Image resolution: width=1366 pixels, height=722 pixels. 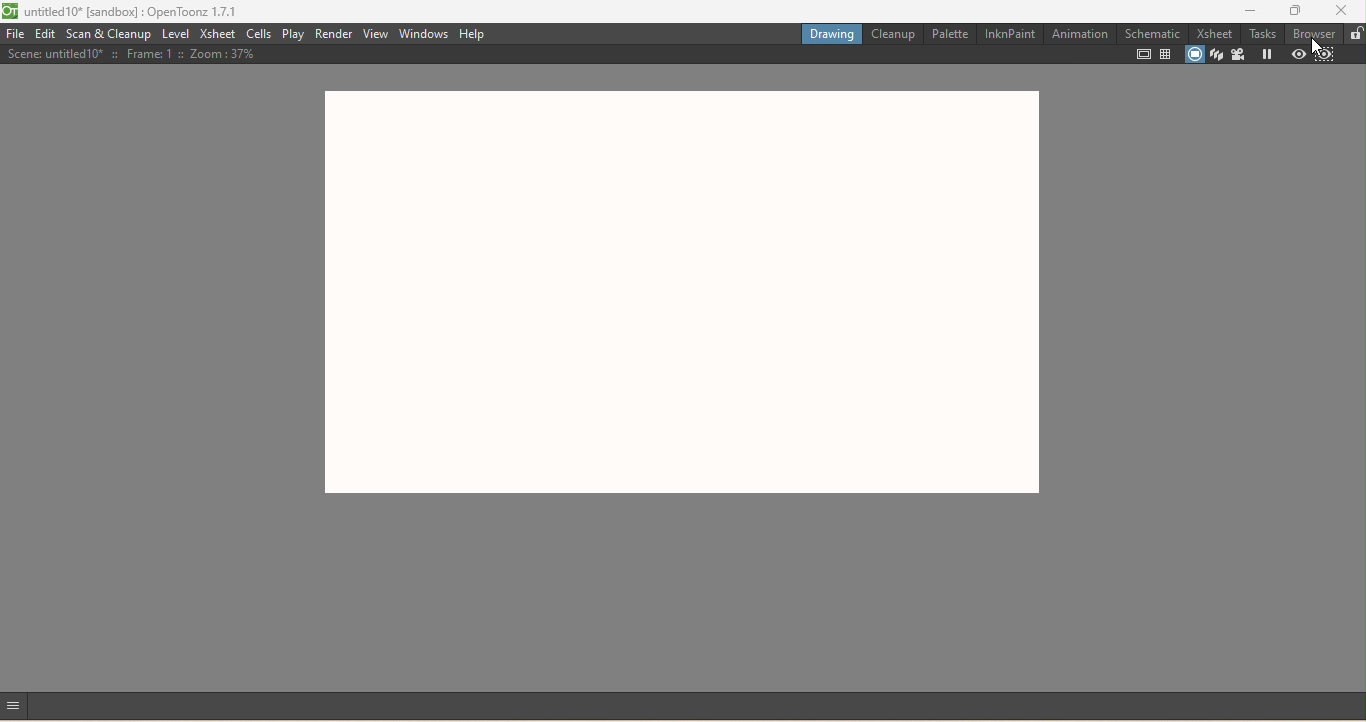 What do you see at coordinates (1241, 54) in the screenshot?
I see `Camera` at bounding box center [1241, 54].